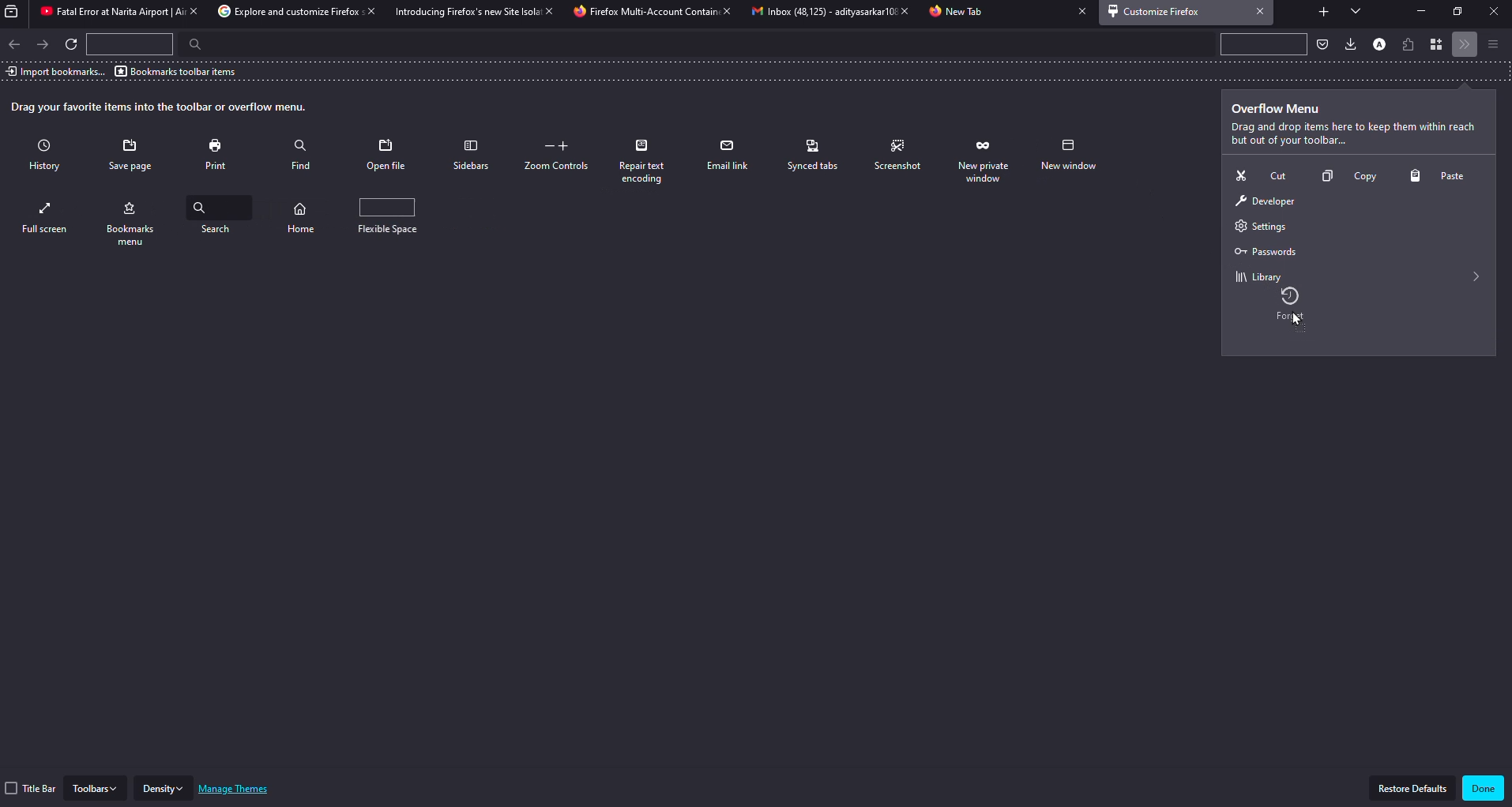 The image size is (1512, 807). I want to click on tabs, so click(1356, 12).